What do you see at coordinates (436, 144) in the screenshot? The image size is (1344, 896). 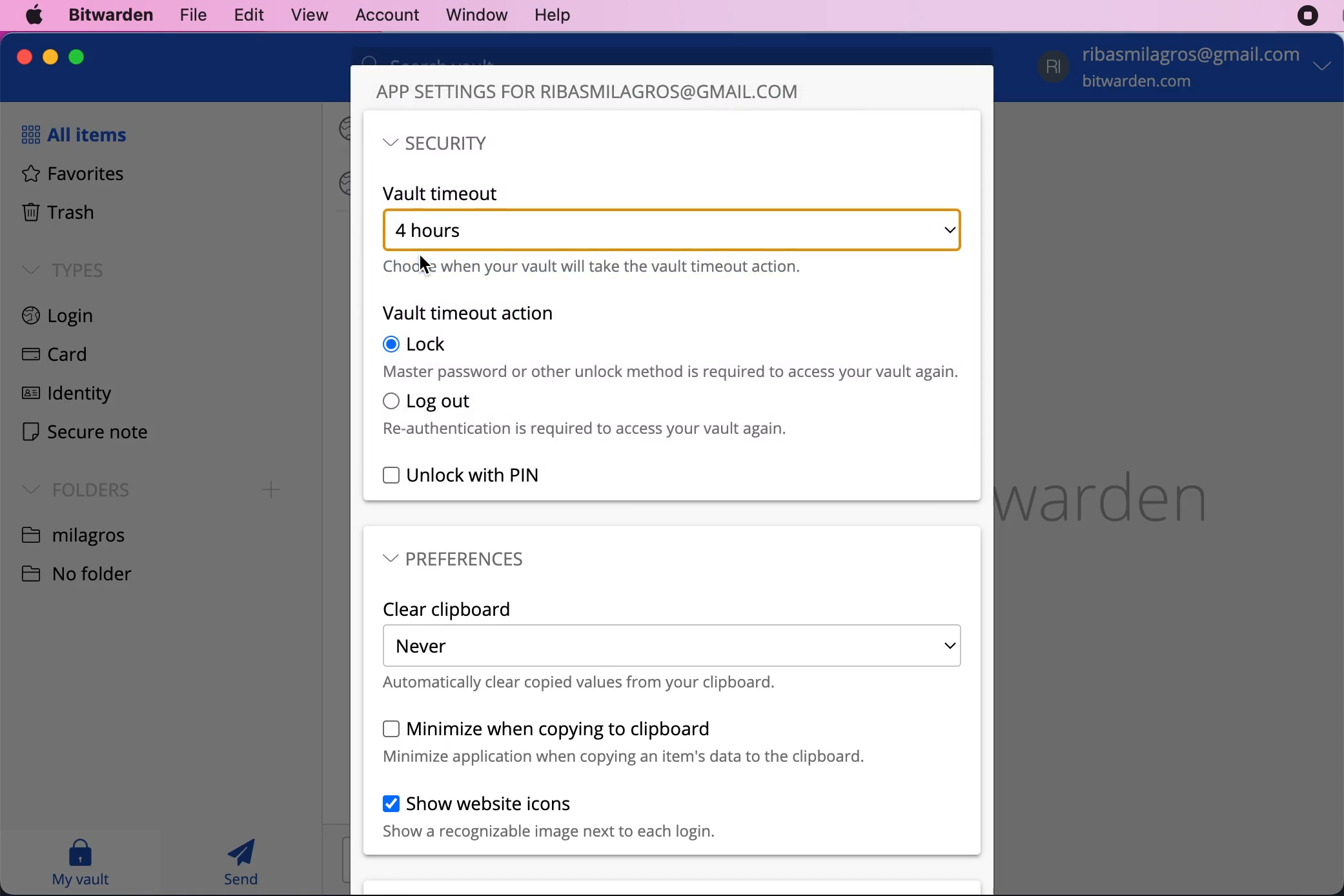 I see `security` at bounding box center [436, 144].